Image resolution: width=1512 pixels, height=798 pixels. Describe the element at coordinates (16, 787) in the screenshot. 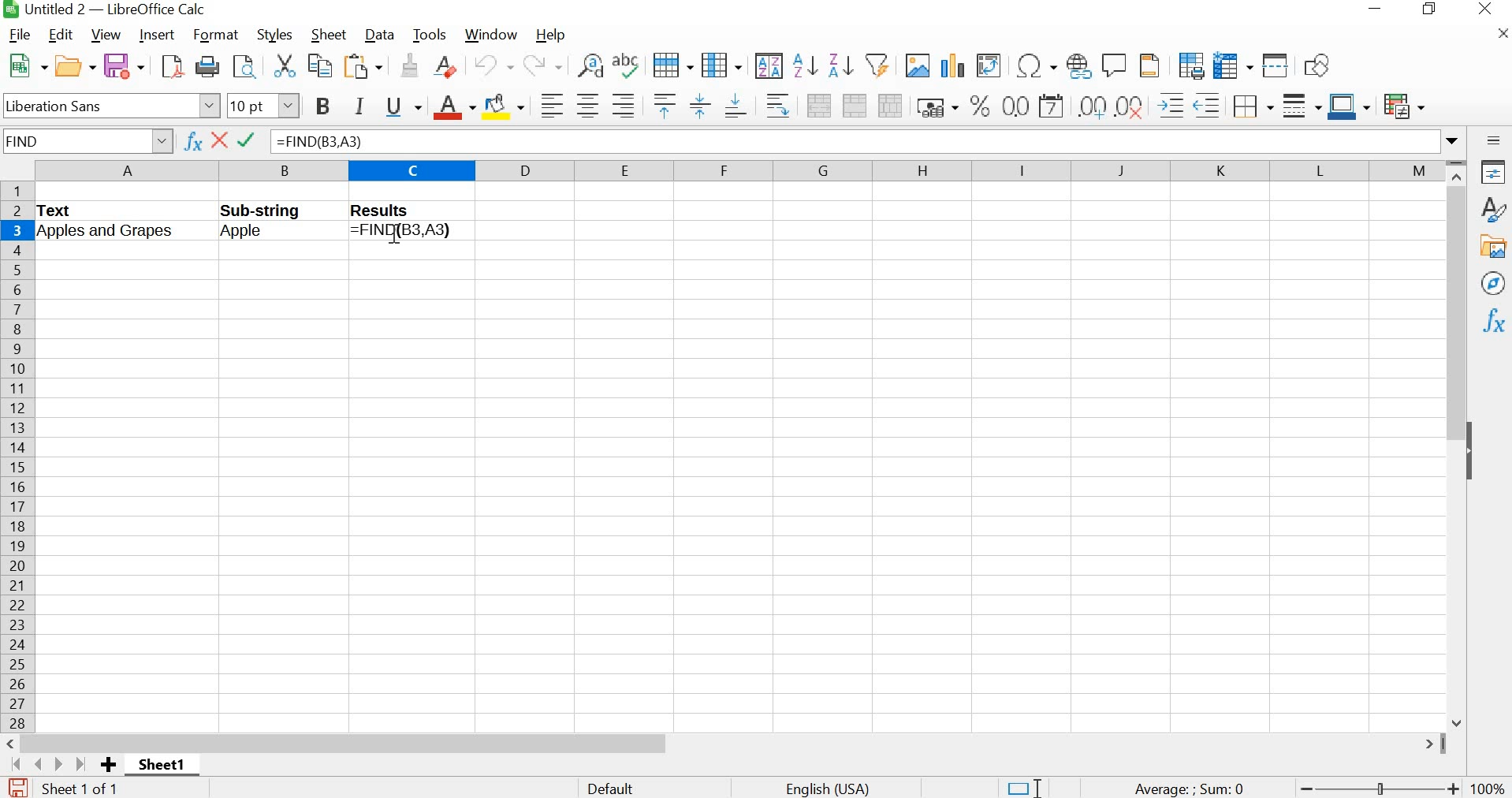

I see `save` at that location.